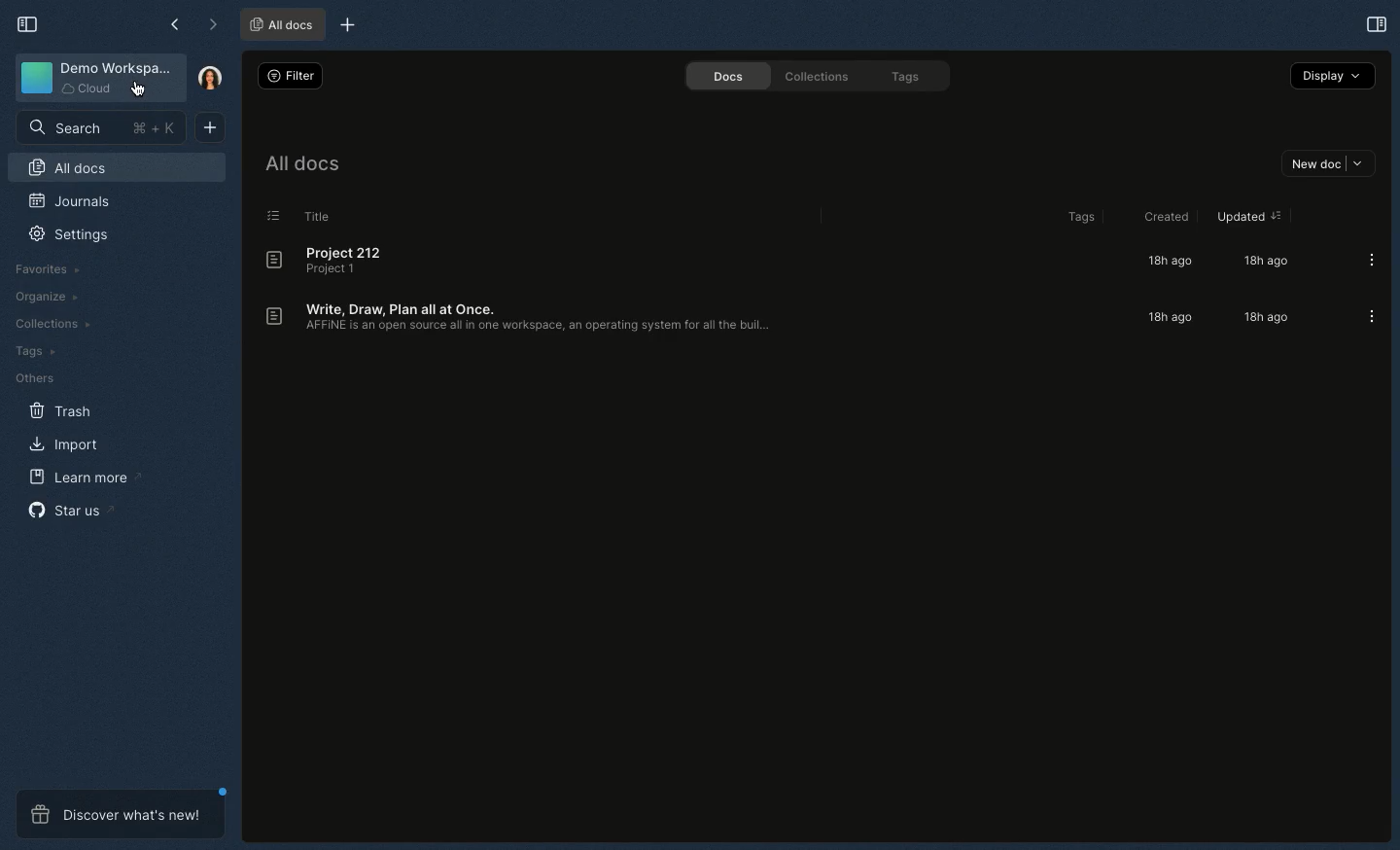 Image resolution: width=1400 pixels, height=850 pixels. I want to click on Open right panel, so click(1376, 23).